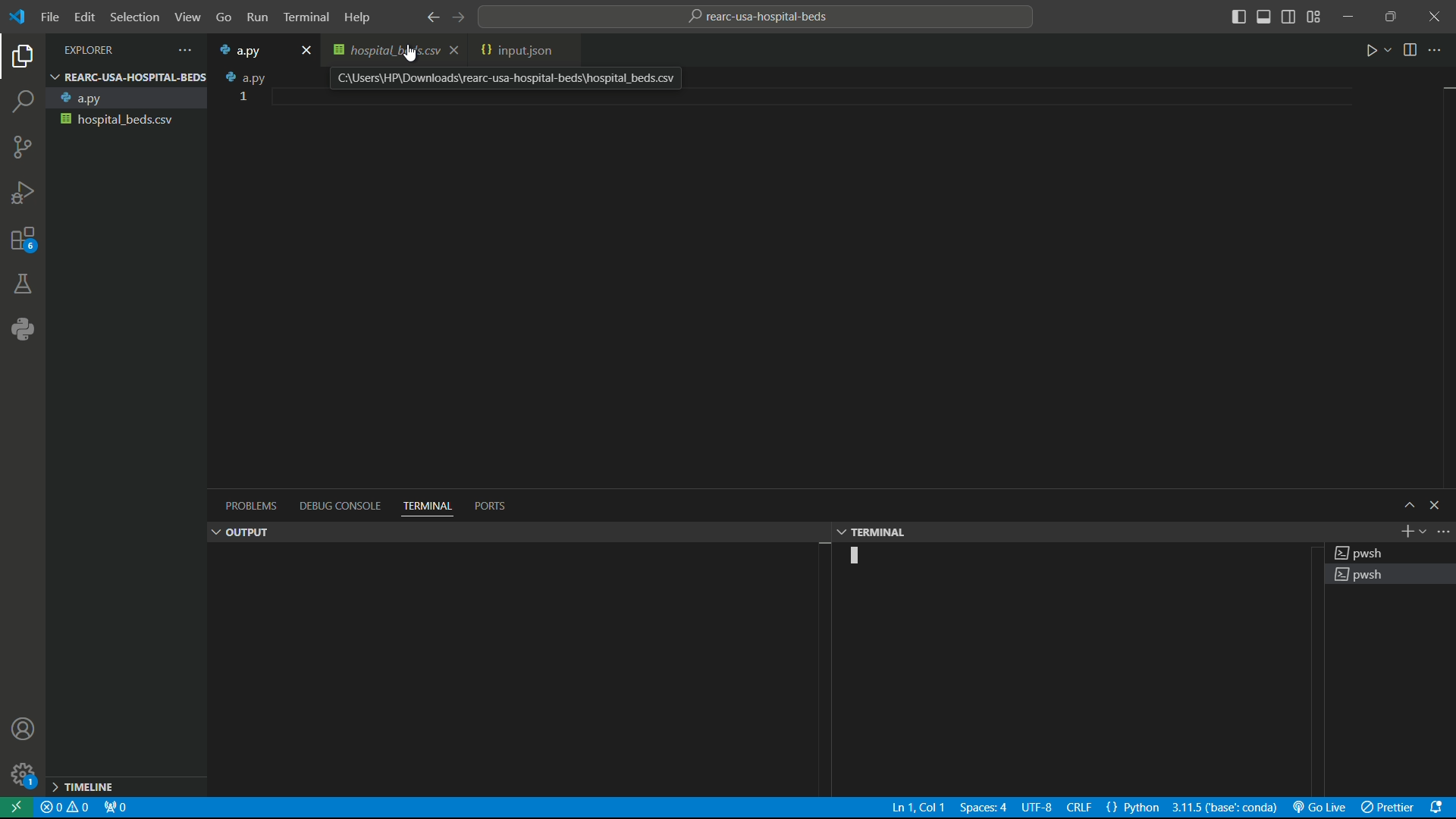 This screenshot has width=1456, height=819. What do you see at coordinates (20, 146) in the screenshot?
I see `source control` at bounding box center [20, 146].